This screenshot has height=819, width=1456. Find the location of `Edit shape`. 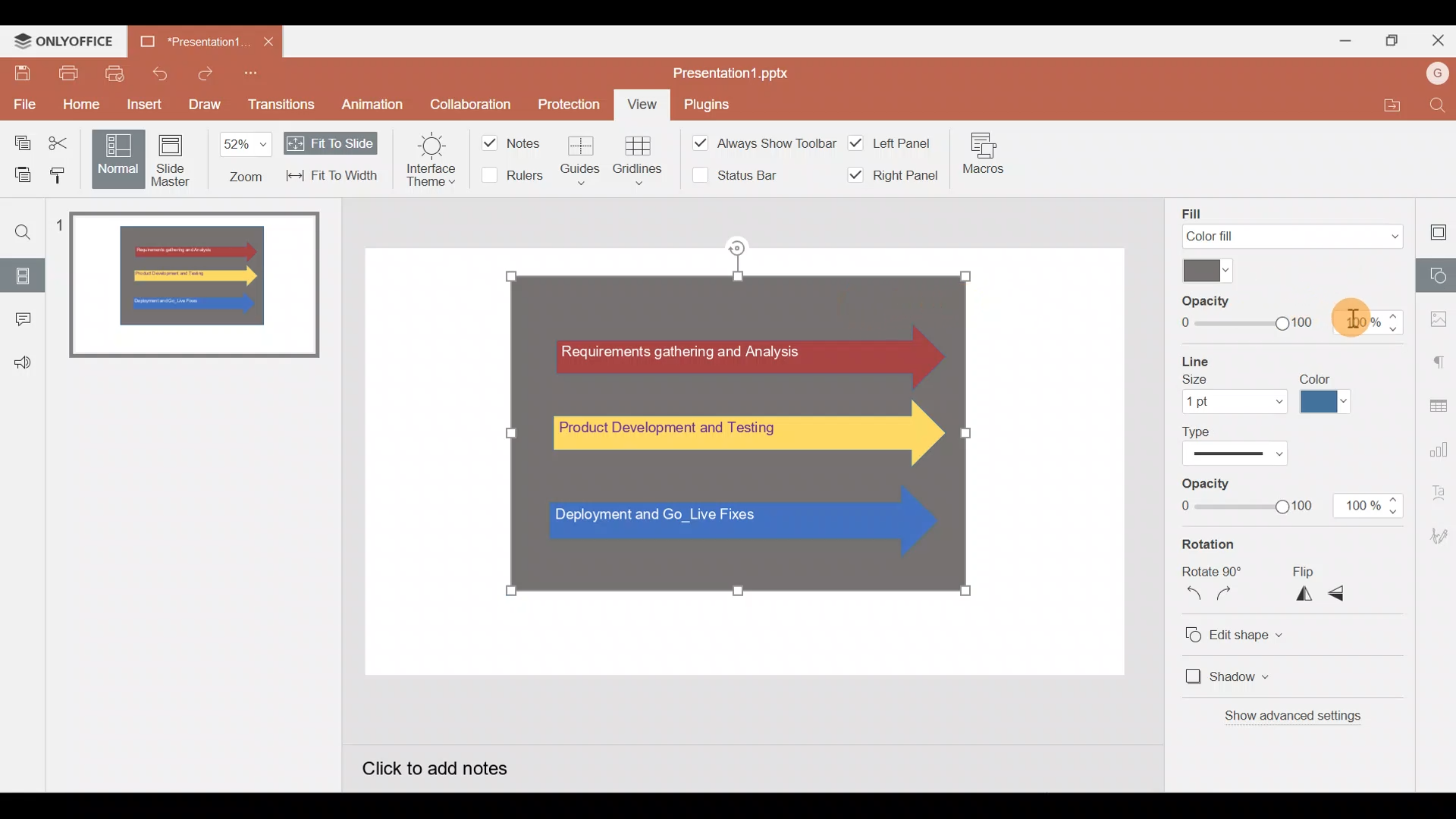

Edit shape is located at coordinates (1252, 632).